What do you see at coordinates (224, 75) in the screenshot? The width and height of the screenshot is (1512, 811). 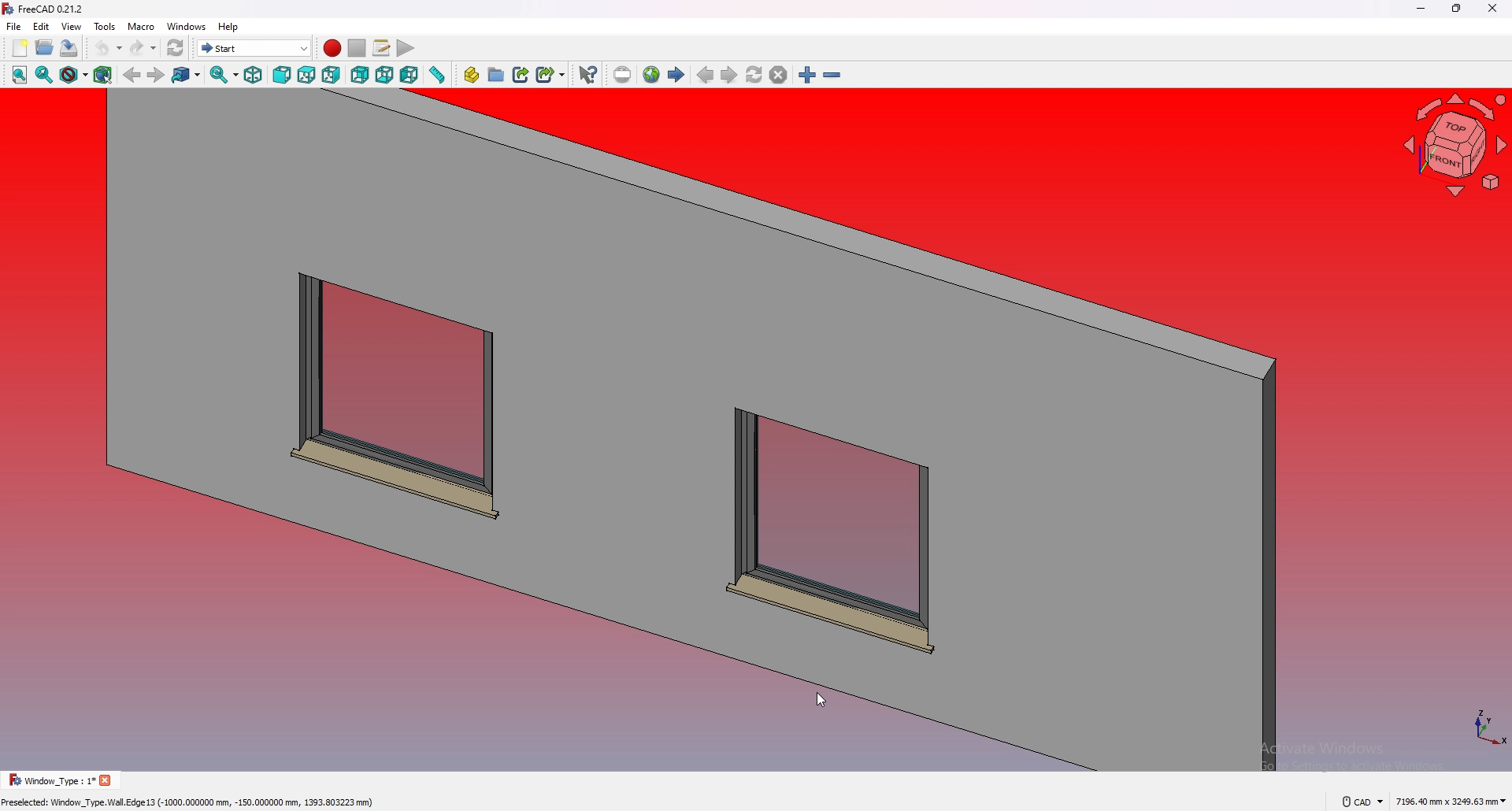 I see `sync view` at bounding box center [224, 75].